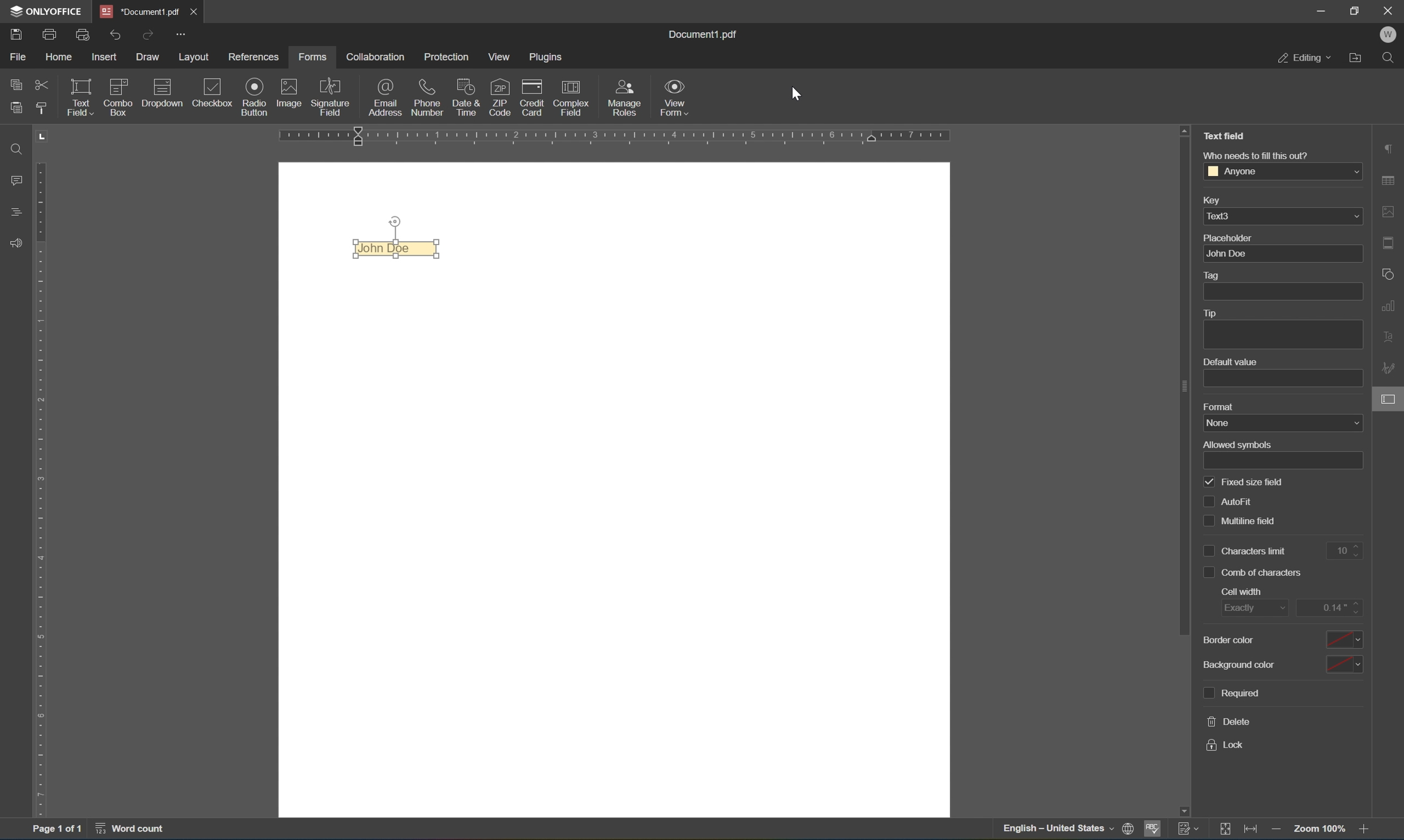 The width and height of the screenshot is (1404, 840). What do you see at coordinates (1390, 370) in the screenshot?
I see `signature settings` at bounding box center [1390, 370].